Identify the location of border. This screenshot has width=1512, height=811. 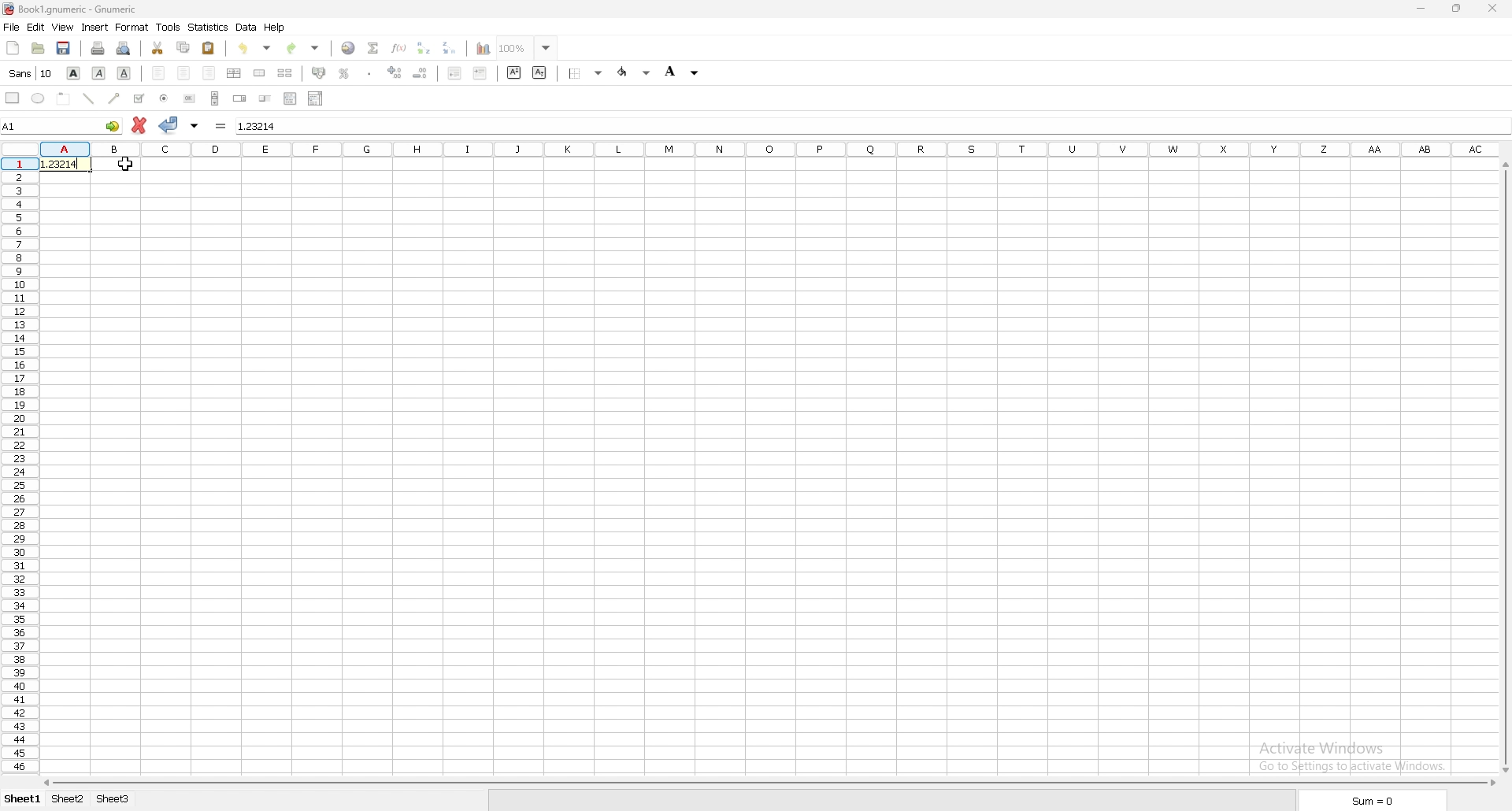
(584, 74).